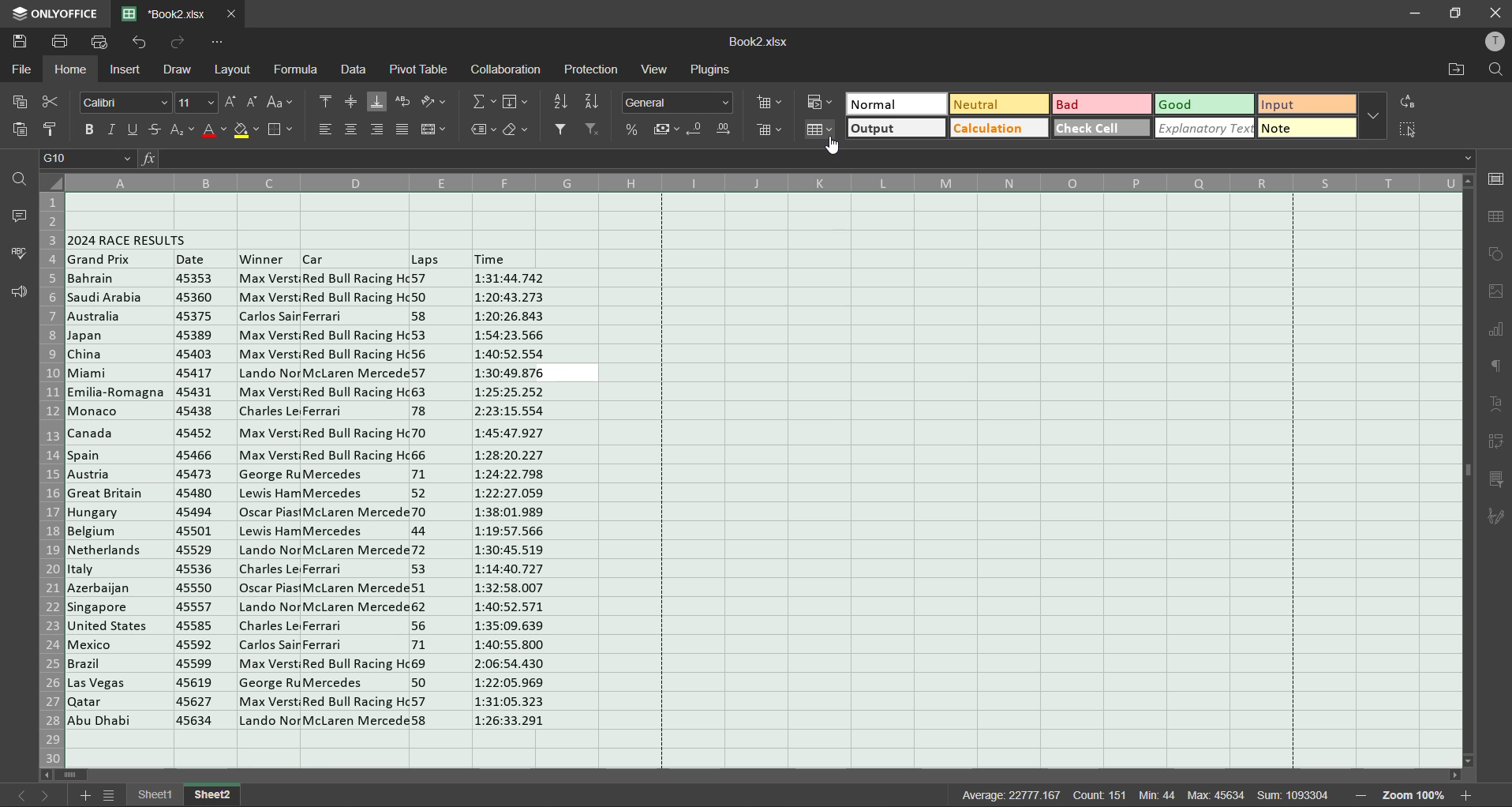  Describe the element at coordinates (405, 103) in the screenshot. I see `wrap text` at that location.